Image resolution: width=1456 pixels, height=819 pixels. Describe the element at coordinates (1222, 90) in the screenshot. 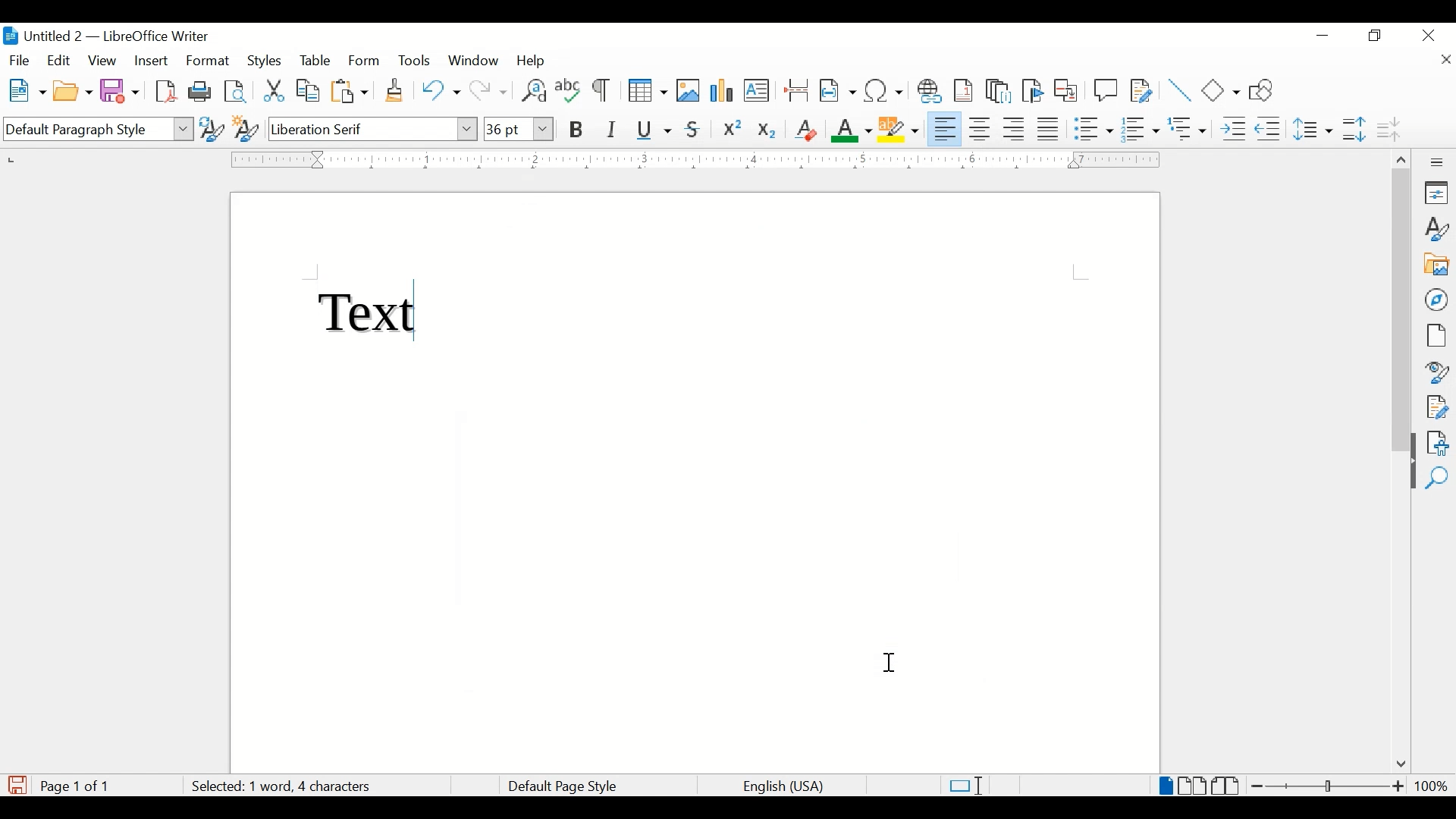

I see `basic shapes` at that location.